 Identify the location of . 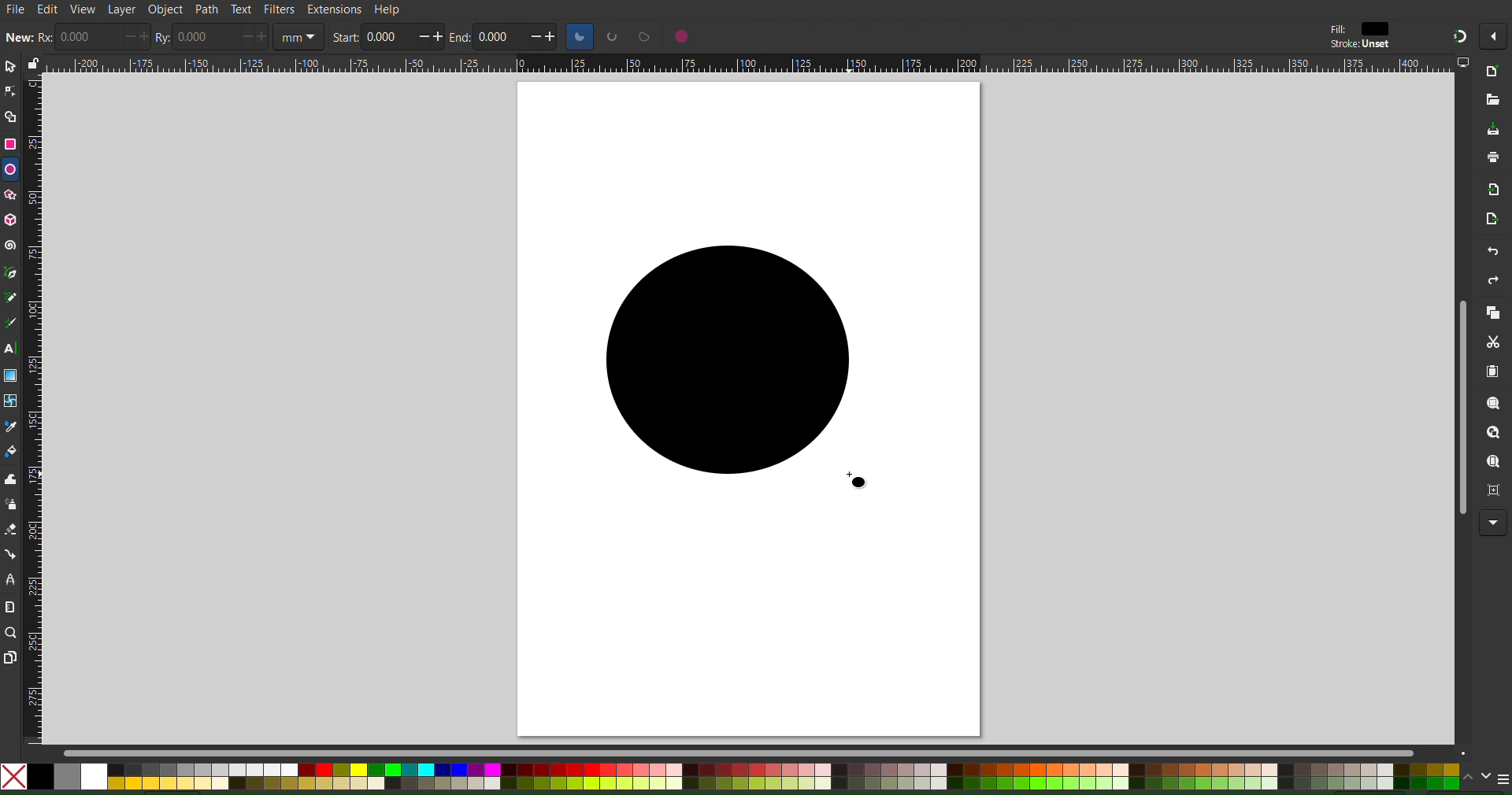
(729, 779).